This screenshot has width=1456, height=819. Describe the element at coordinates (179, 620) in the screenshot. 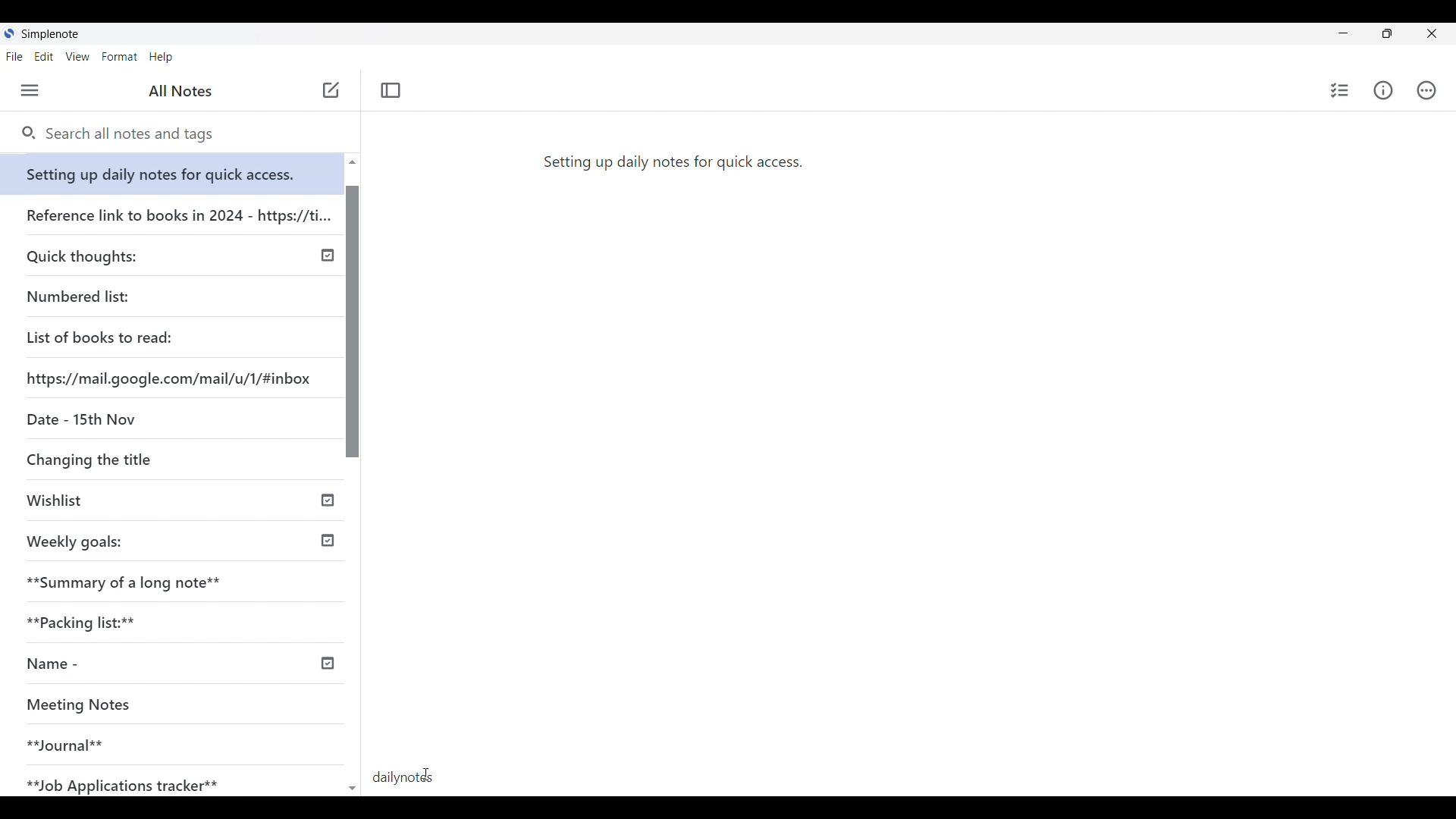

I see `Packing lists` at that location.